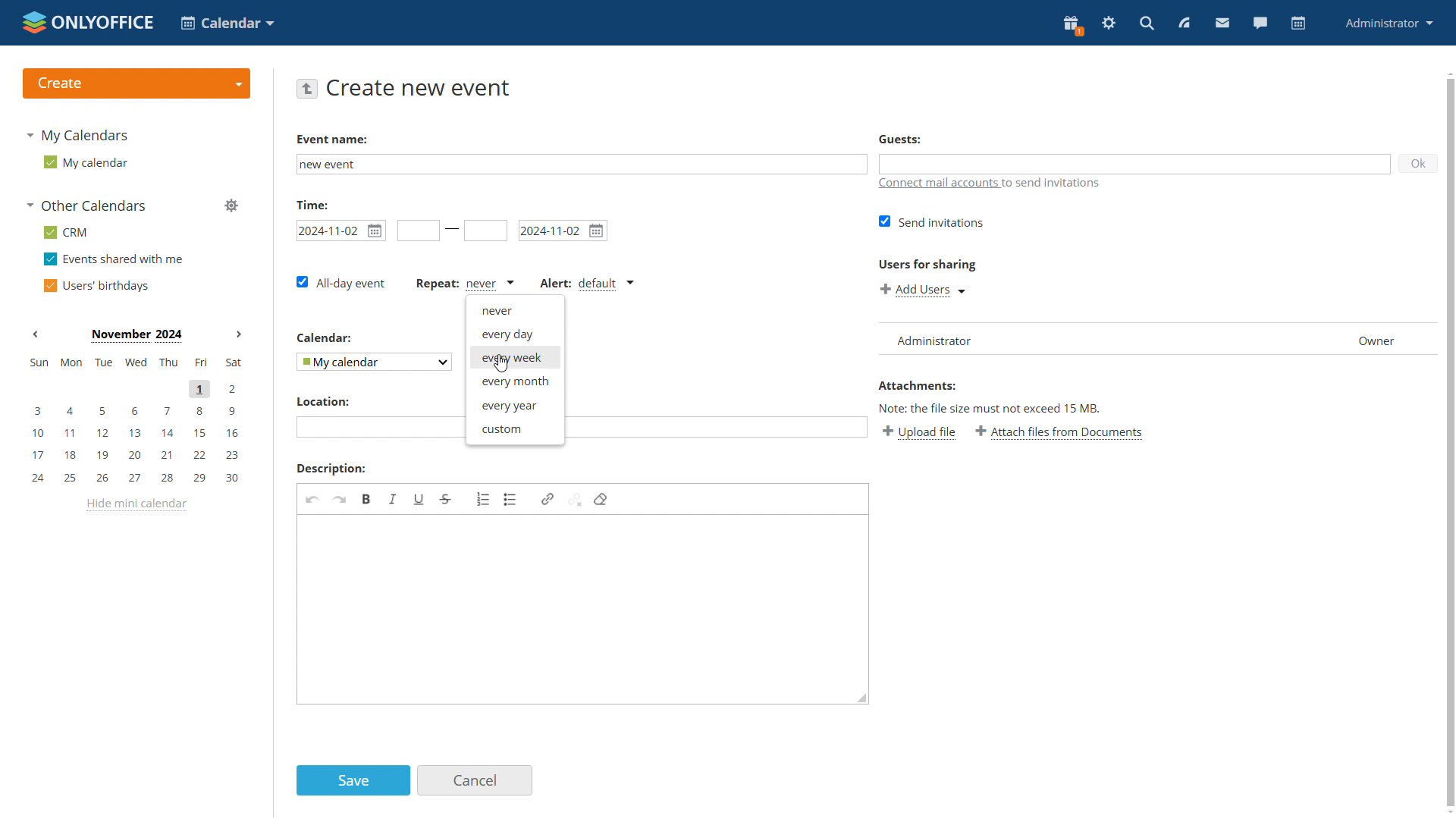  I want to click on every week, so click(515, 359).